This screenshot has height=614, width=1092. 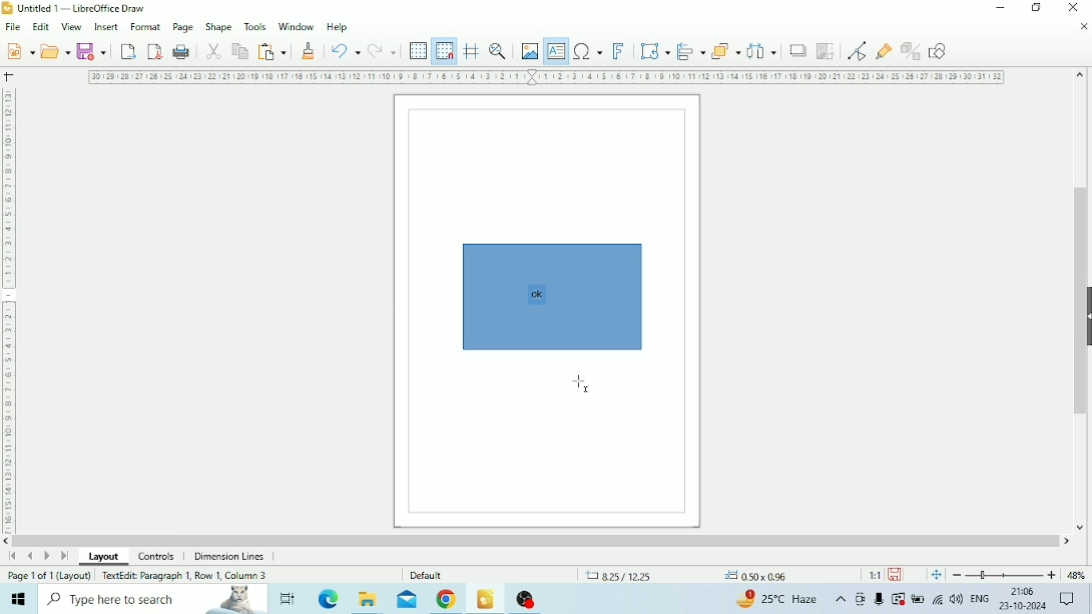 I want to click on Scroll to last page, so click(x=64, y=556).